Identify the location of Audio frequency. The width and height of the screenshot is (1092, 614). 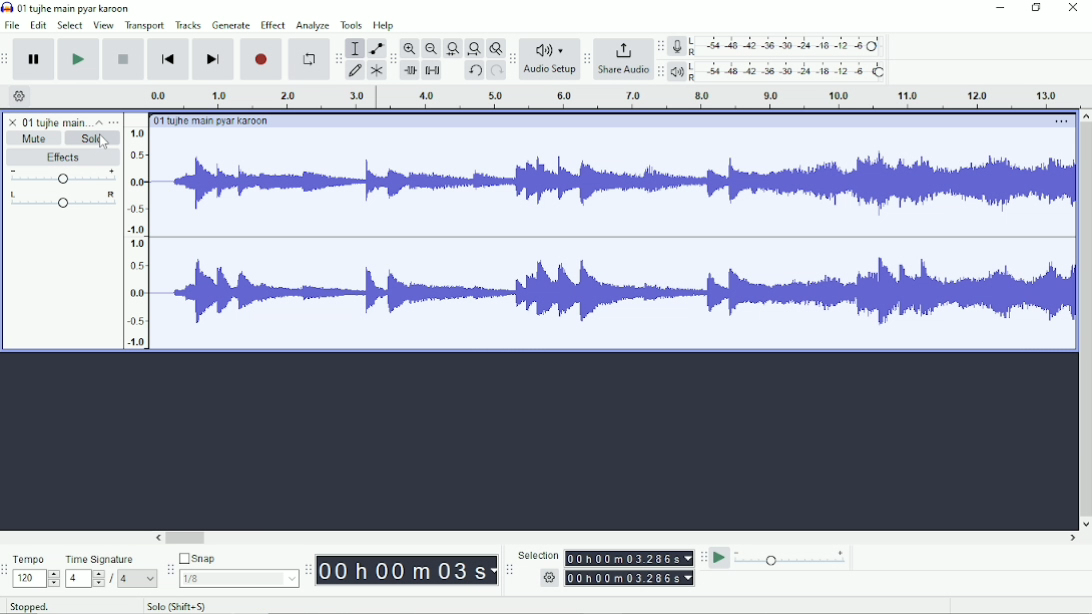
(612, 239).